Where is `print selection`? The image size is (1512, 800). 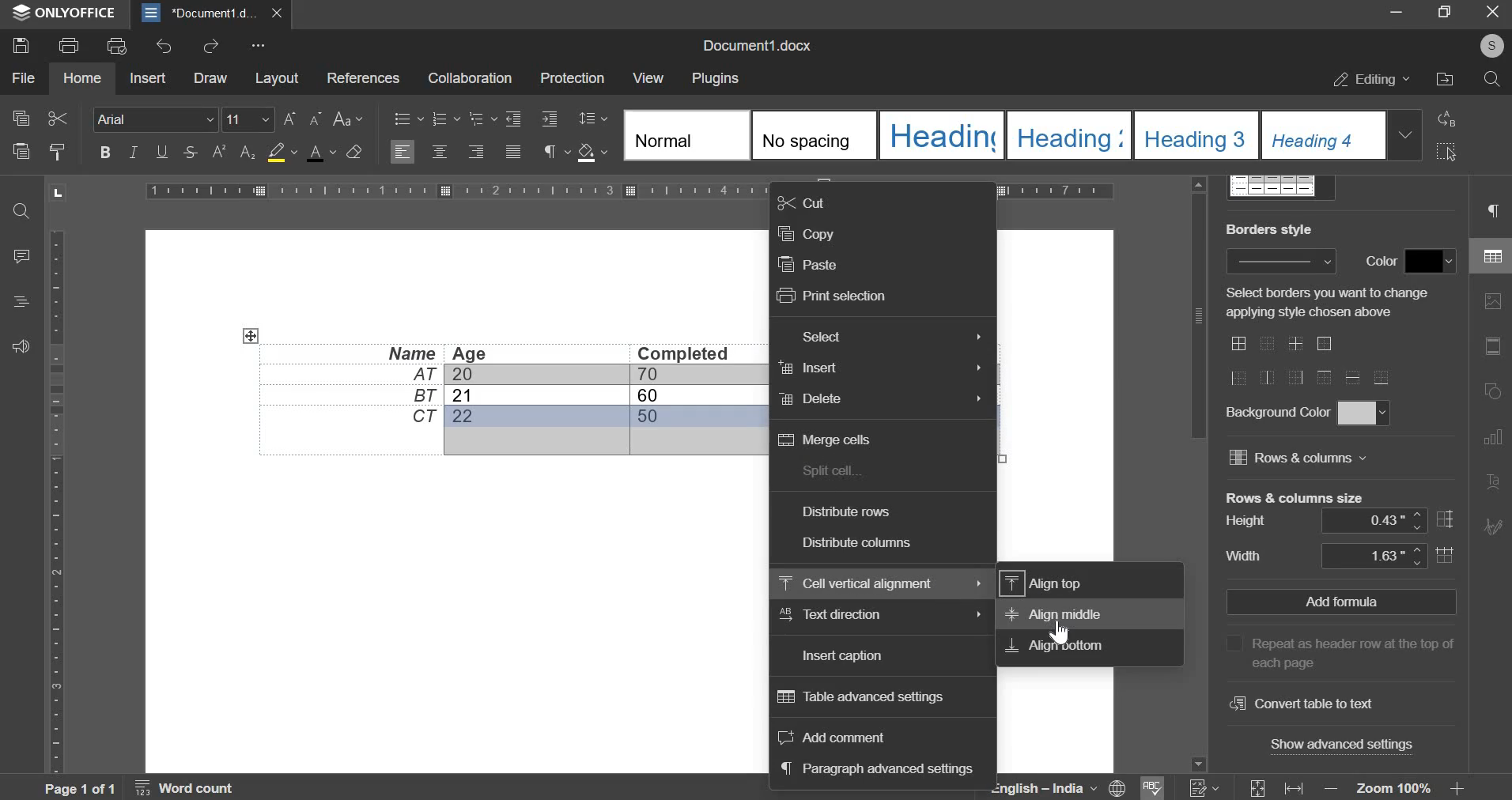
print selection is located at coordinates (832, 294).